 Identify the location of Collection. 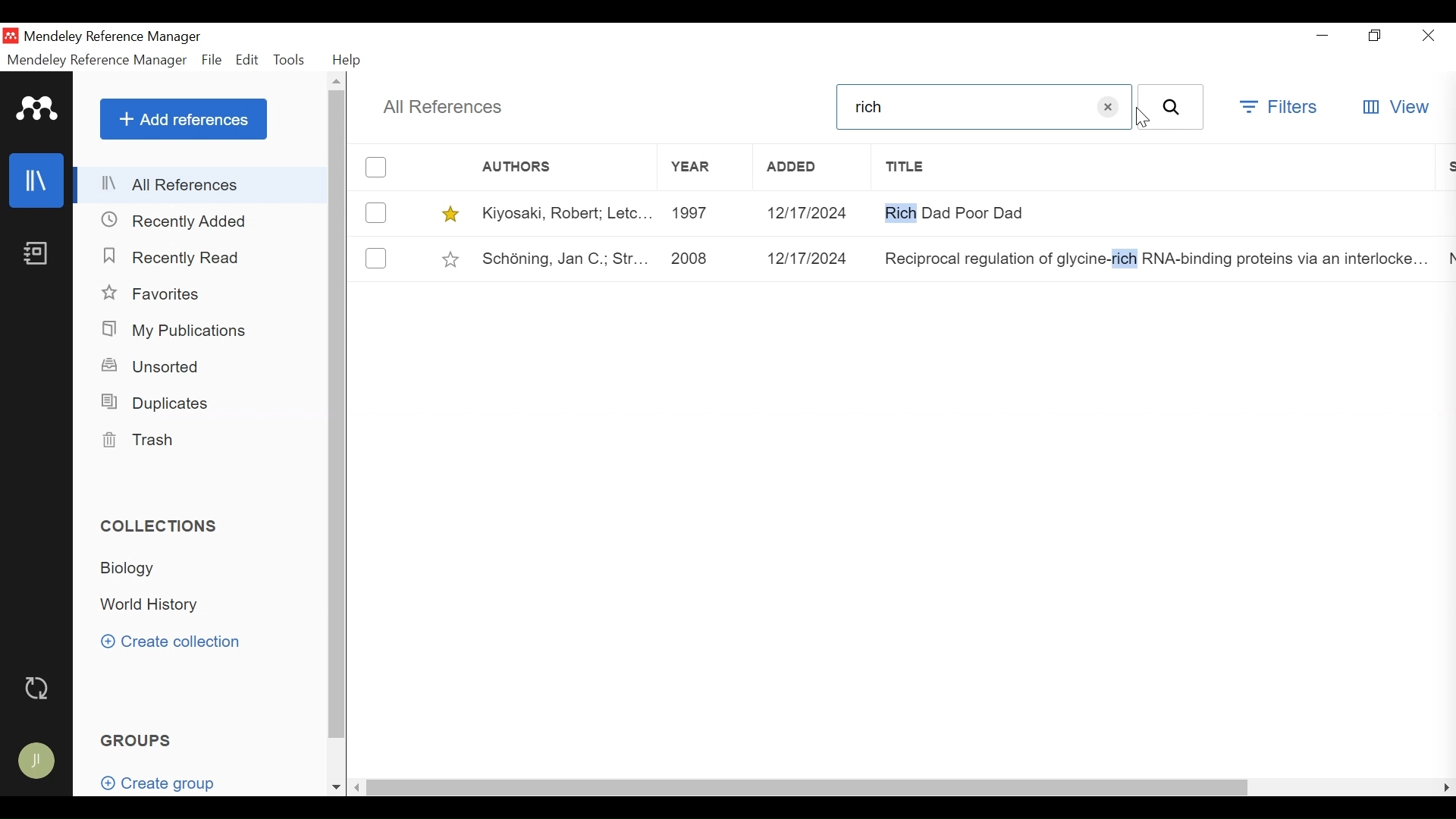
(138, 571).